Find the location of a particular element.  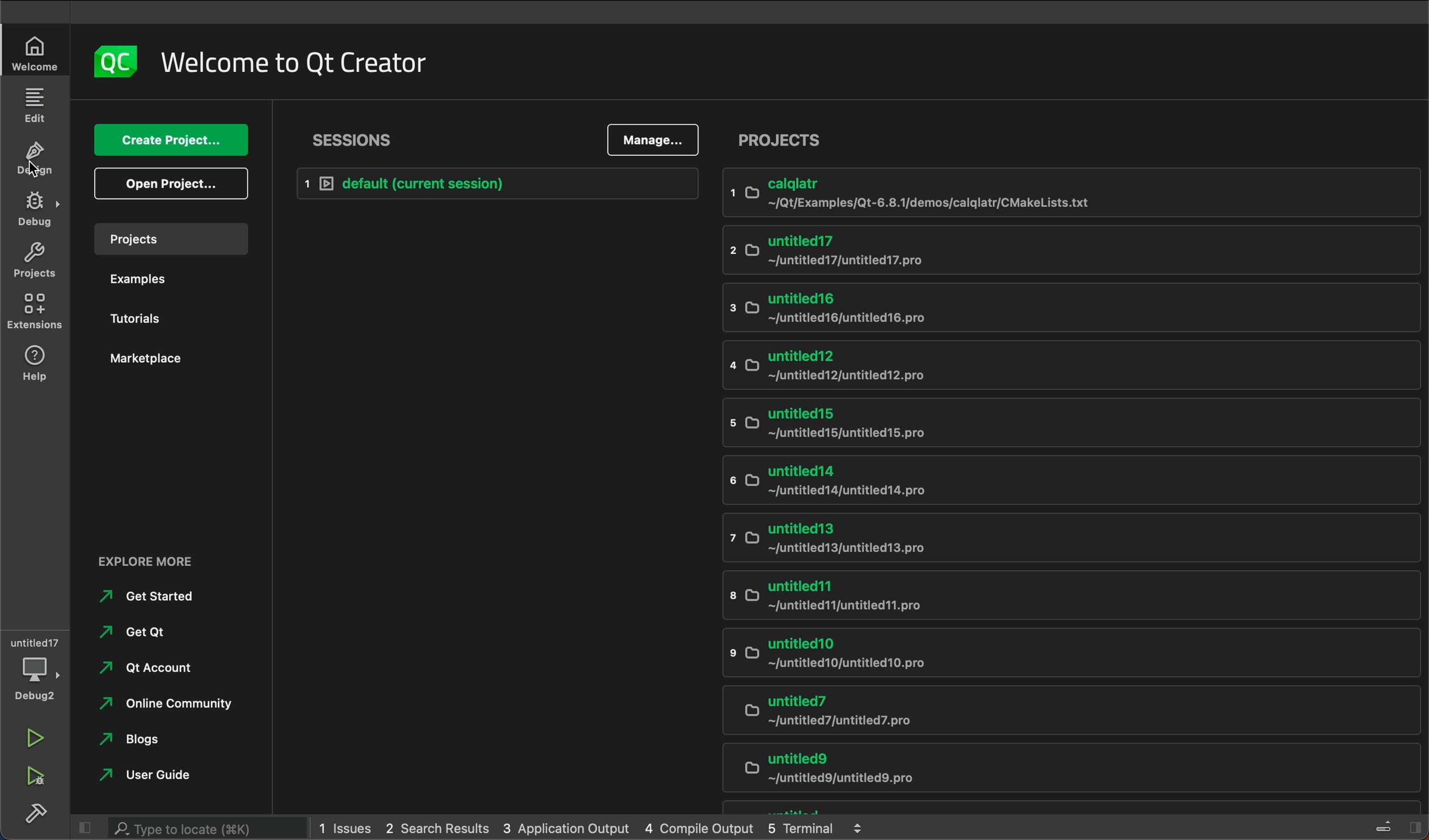

untitled12 is located at coordinates (1047, 367).